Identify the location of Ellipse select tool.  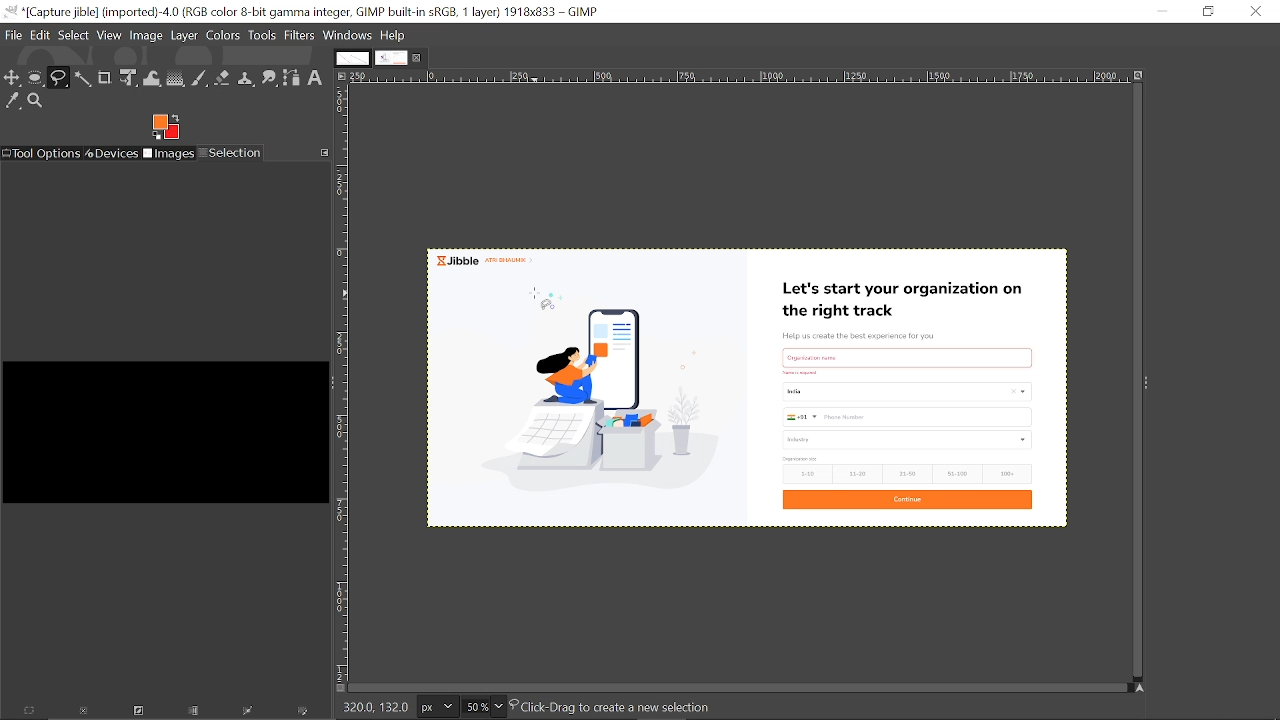
(36, 79).